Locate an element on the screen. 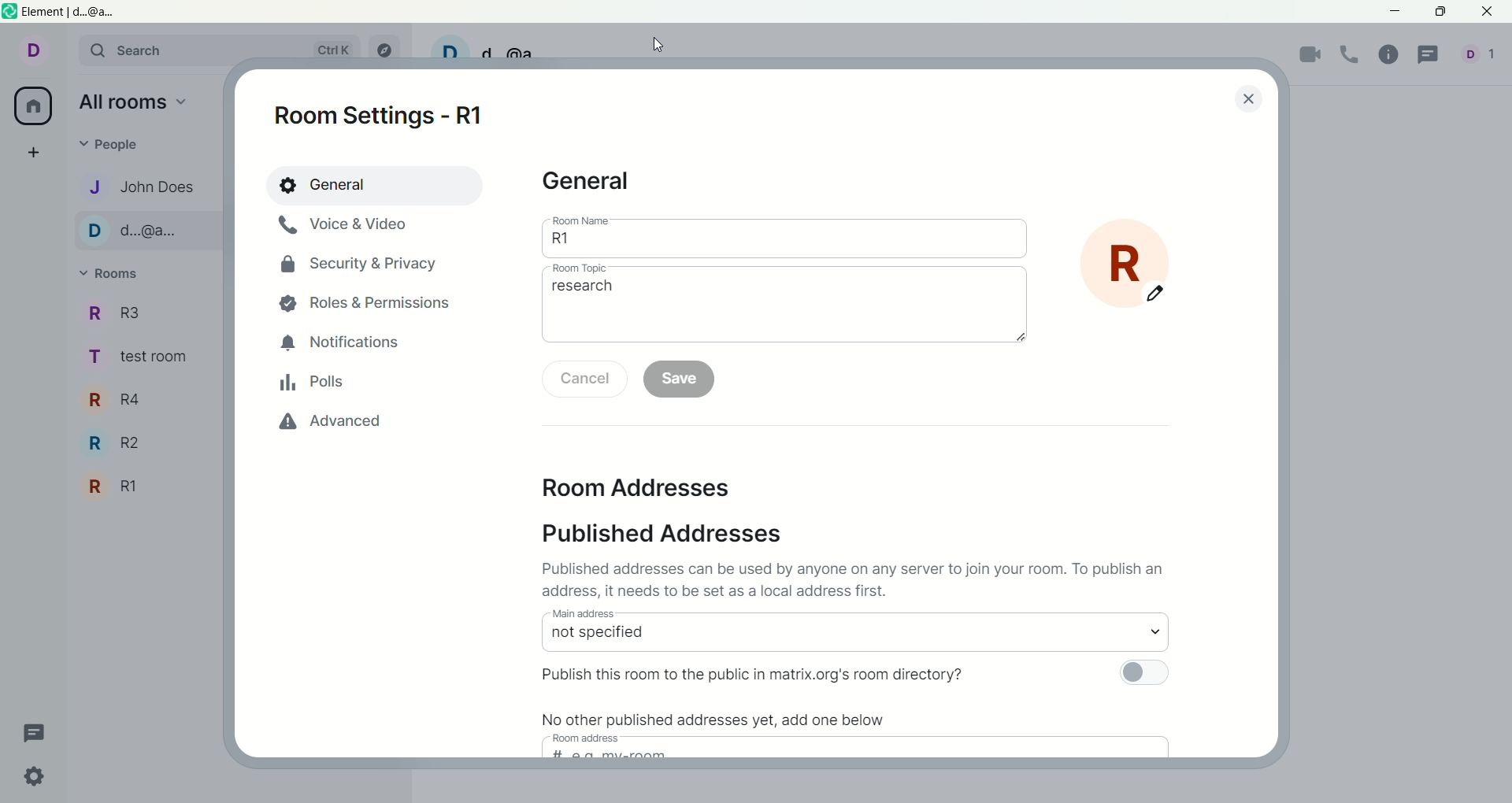  room address is located at coordinates (592, 739).